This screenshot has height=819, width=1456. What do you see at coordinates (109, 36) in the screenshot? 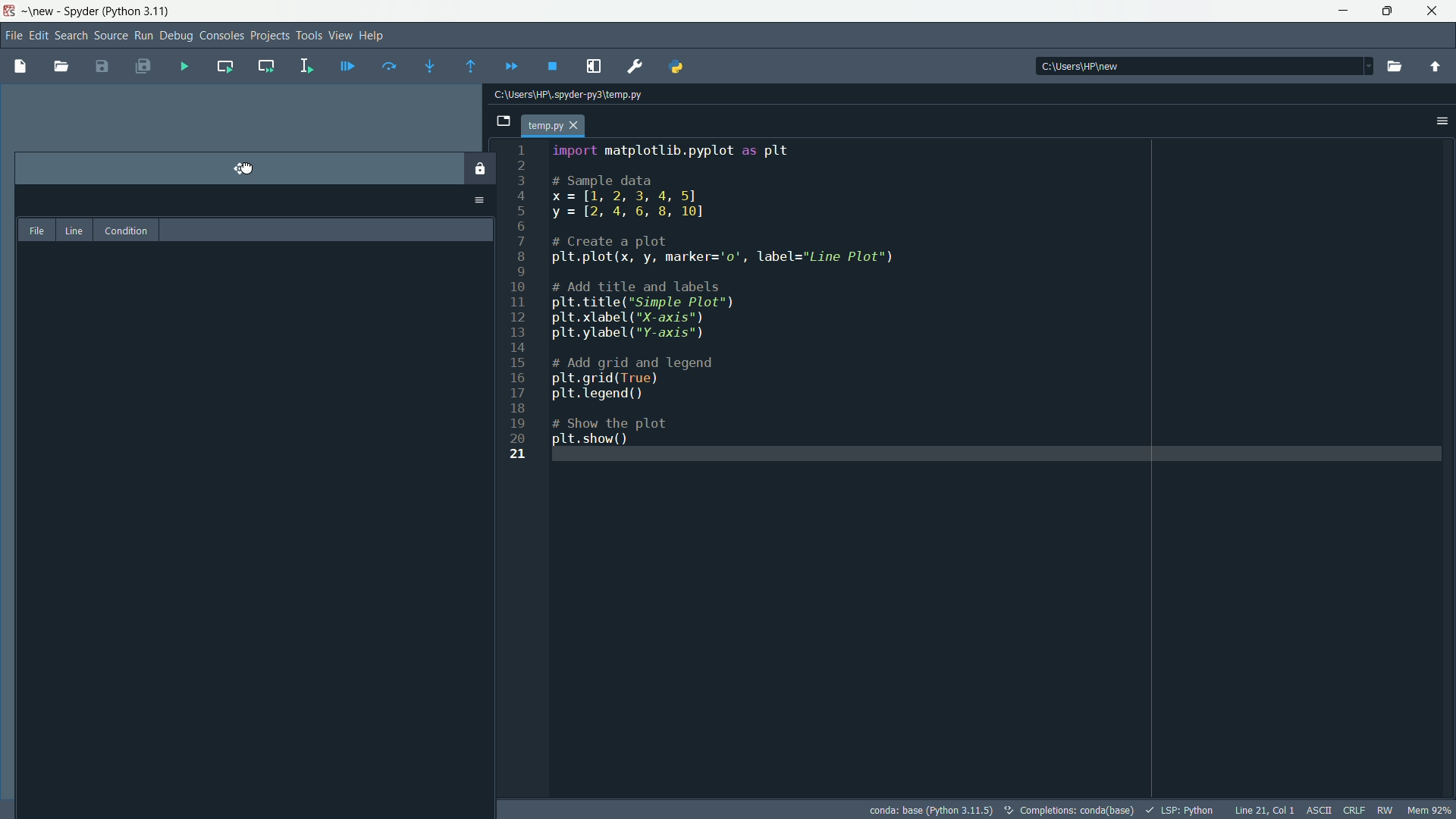
I see `source menu` at bounding box center [109, 36].